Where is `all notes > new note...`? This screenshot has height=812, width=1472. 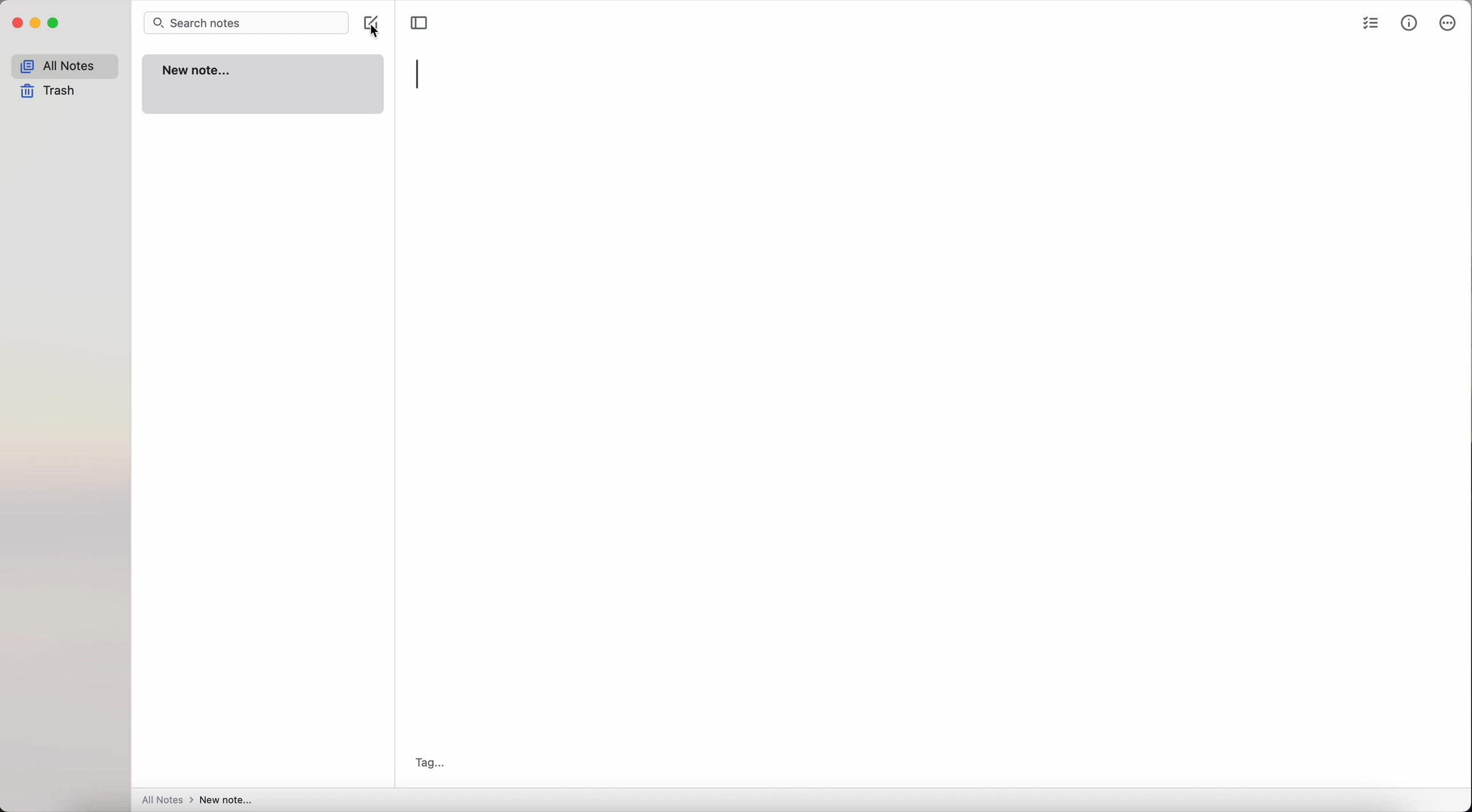
all notes > new note... is located at coordinates (194, 801).